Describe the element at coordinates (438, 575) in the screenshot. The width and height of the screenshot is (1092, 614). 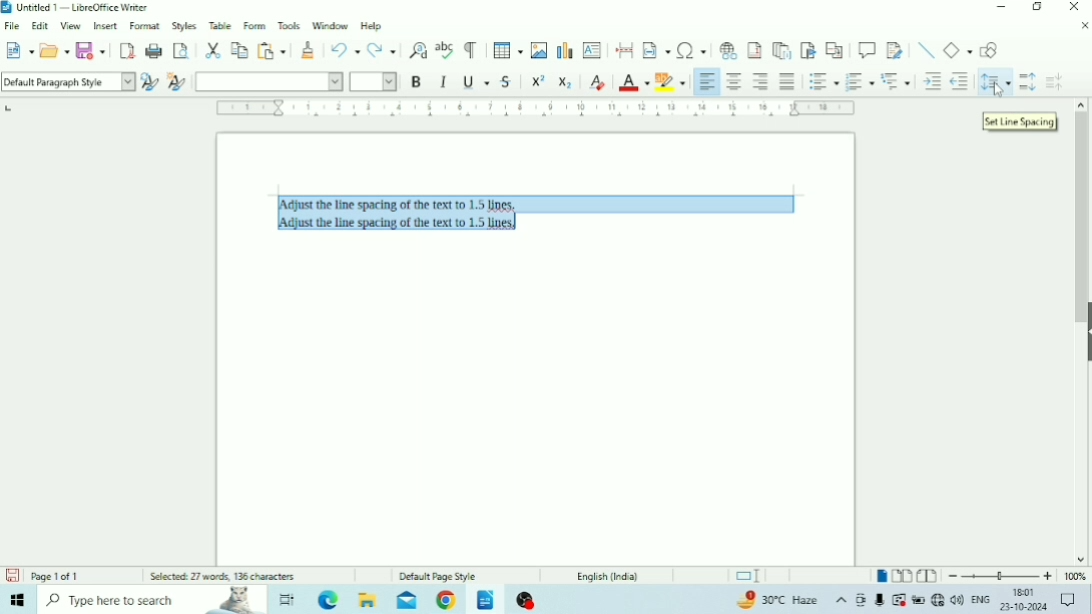
I see `Default Page Style` at that location.